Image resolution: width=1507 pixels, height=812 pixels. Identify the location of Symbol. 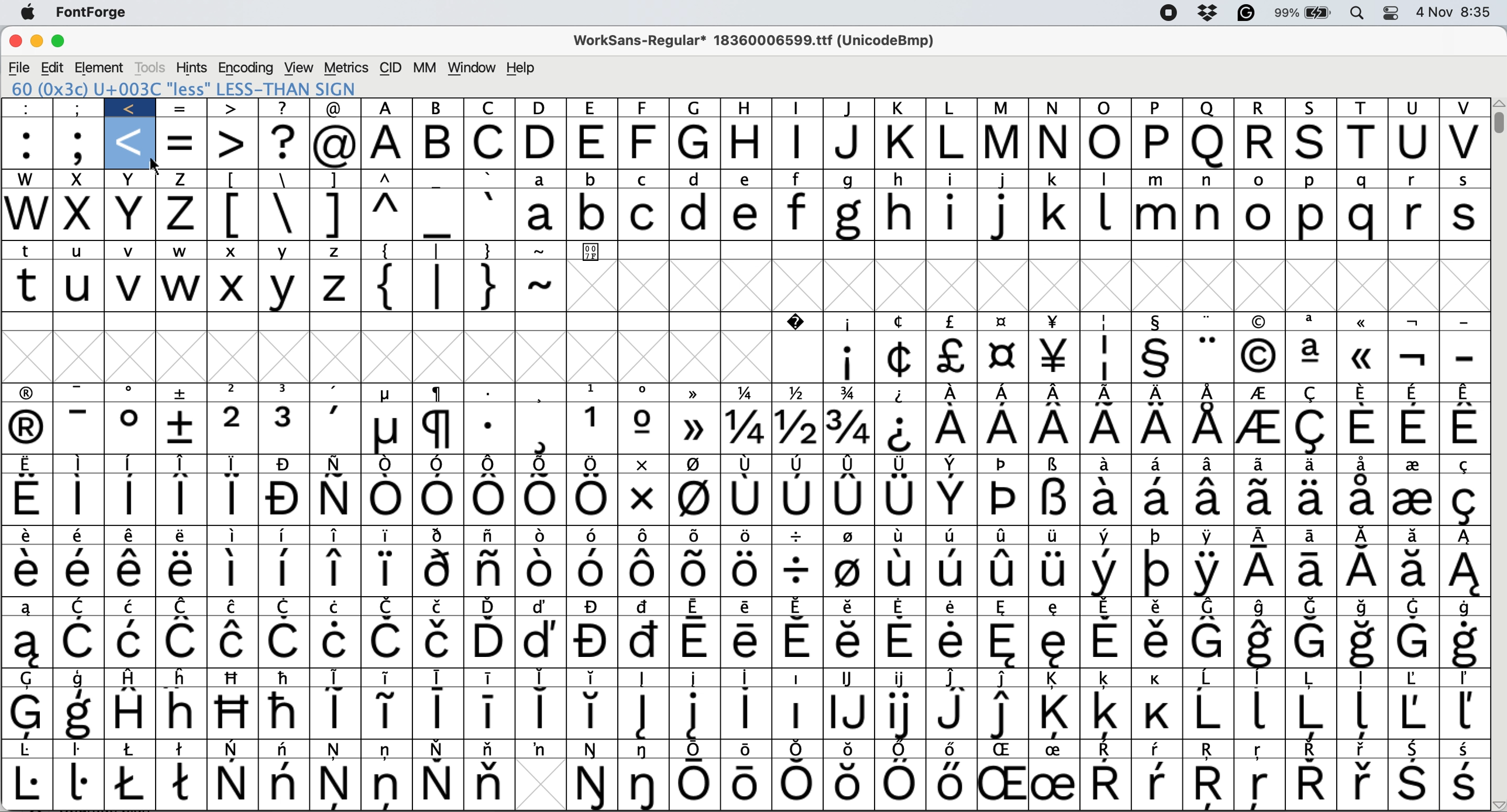
(184, 607).